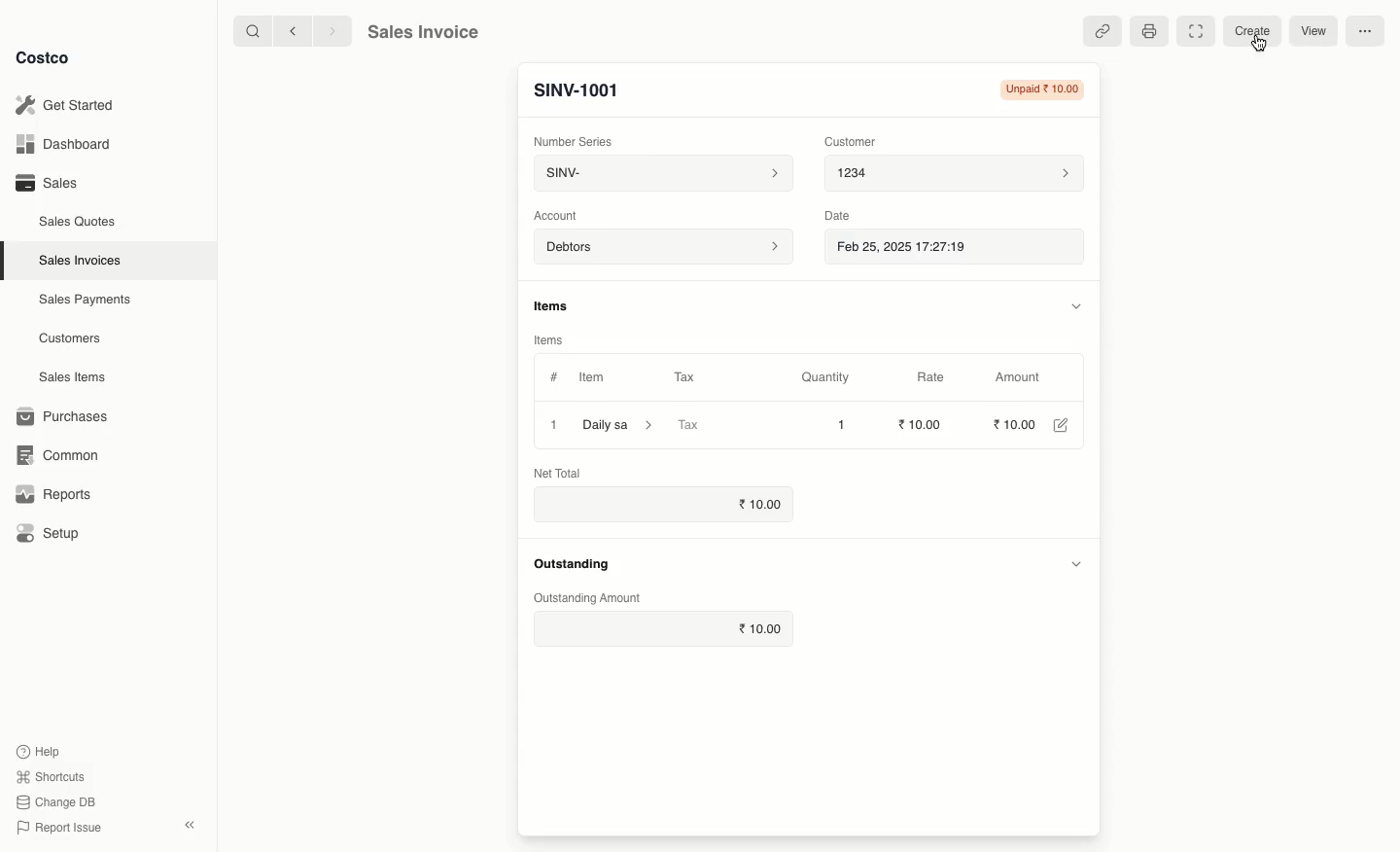 This screenshot has width=1400, height=852. What do you see at coordinates (68, 337) in the screenshot?
I see `Customers` at bounding box center [68, 337].